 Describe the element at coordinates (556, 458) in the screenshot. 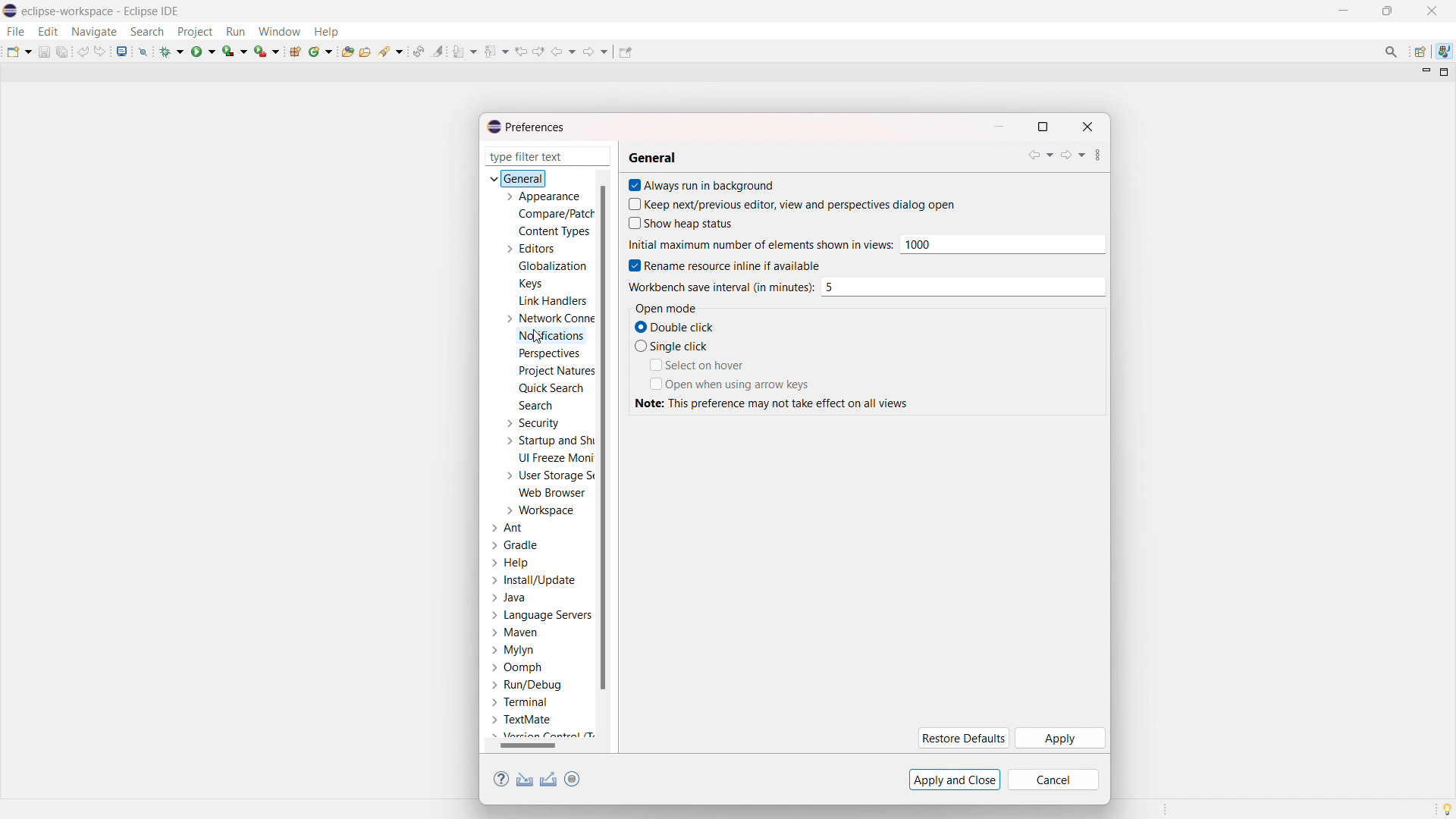

I see `UI freeze monitoring` at that location.